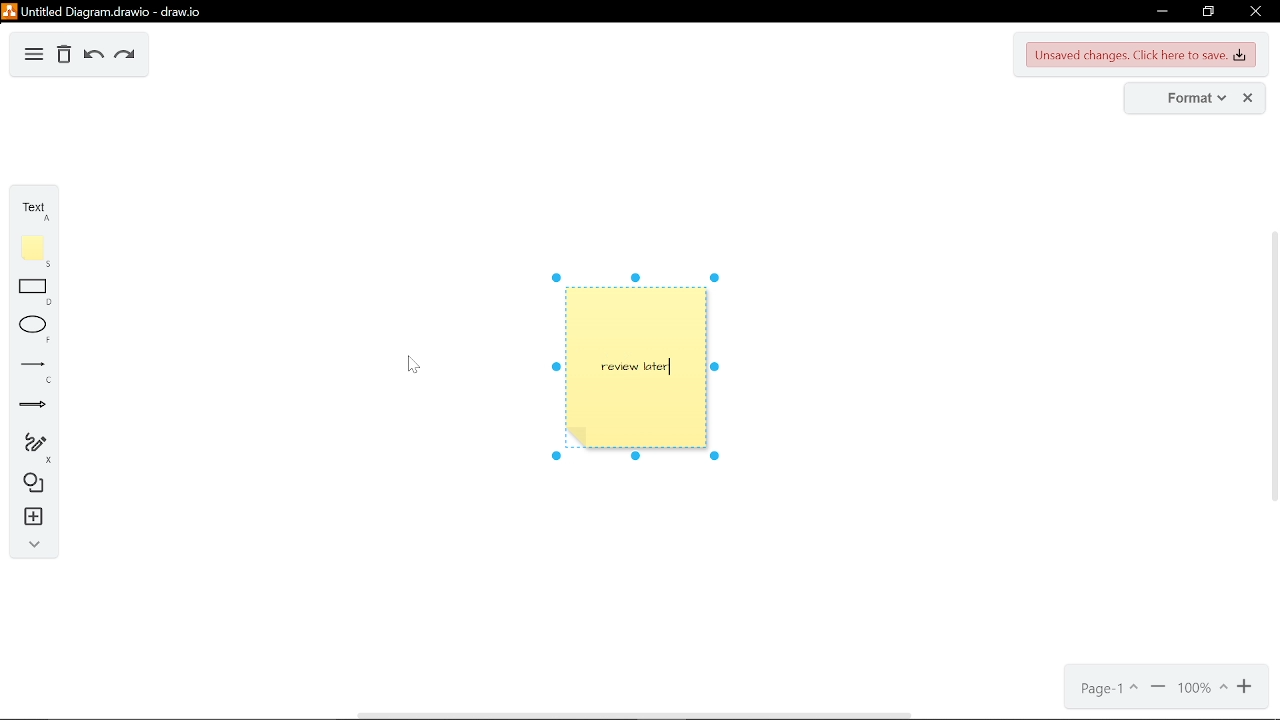 This screenshot has width=1280, height=720. I want to click on arrows, so click(29, 405).